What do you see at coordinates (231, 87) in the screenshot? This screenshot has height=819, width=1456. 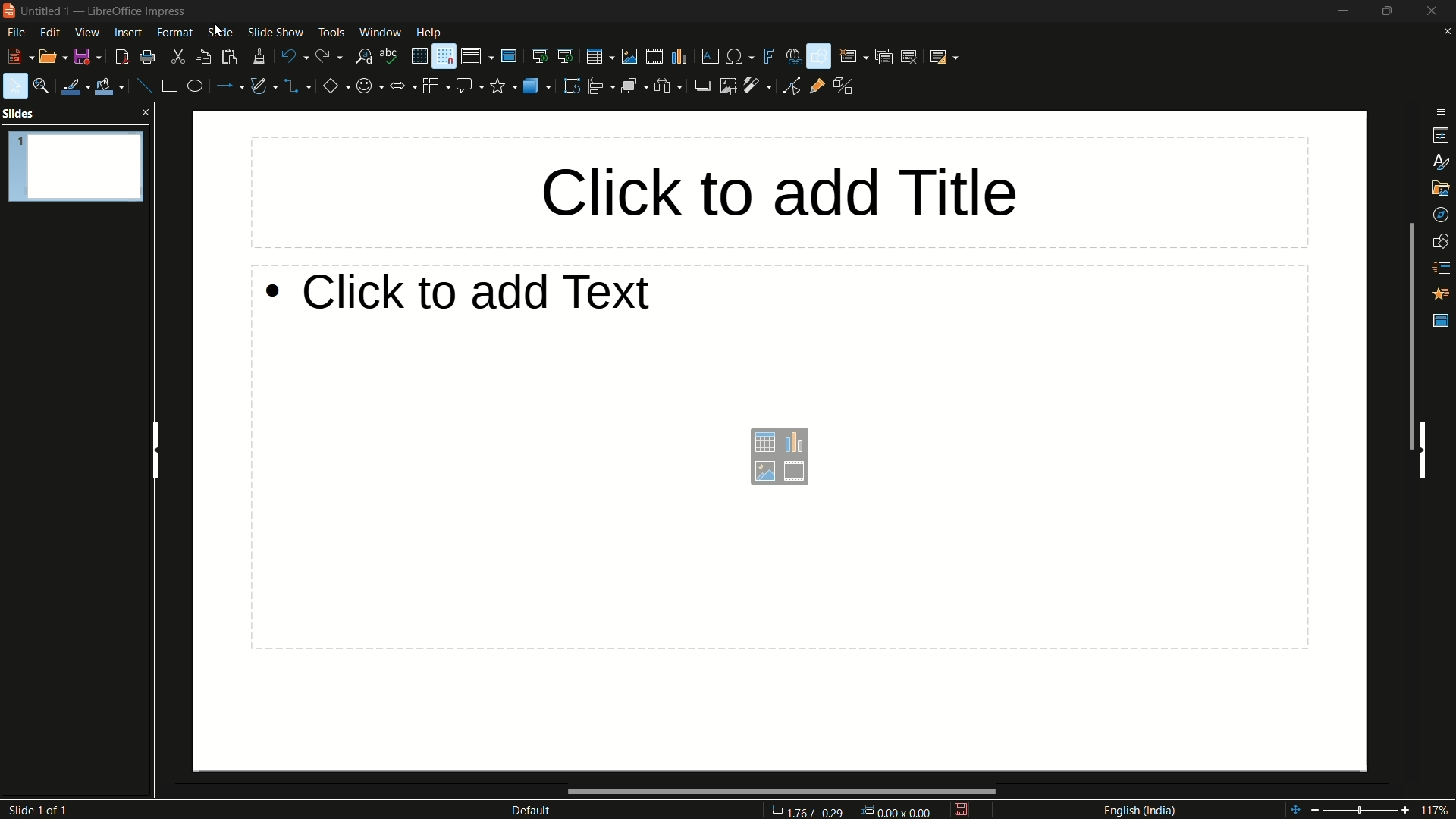 I see `lines and arrows` at bounding box center [231, 87].